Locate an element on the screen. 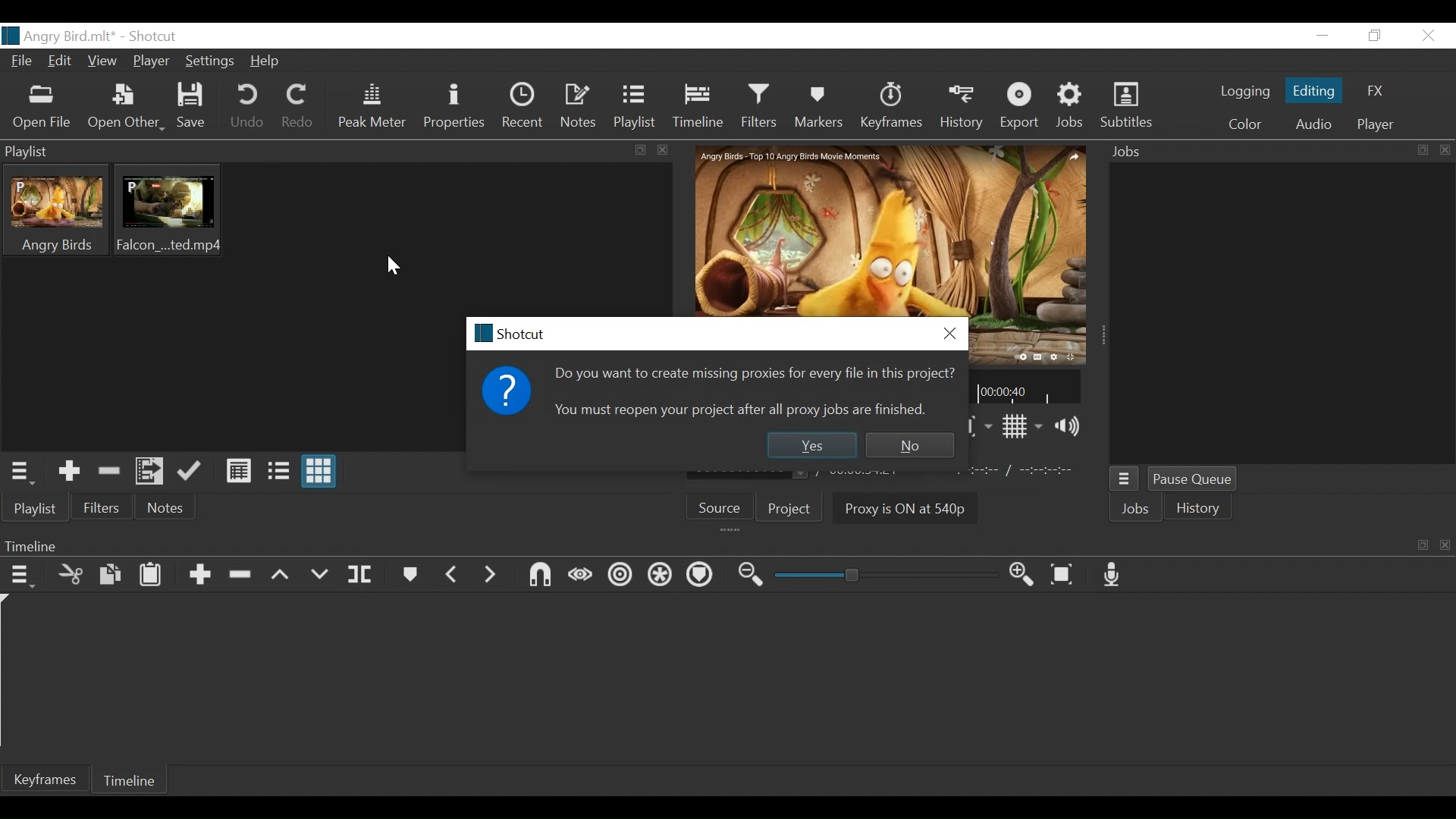 This screenshot has height=819, width=1456. Zoom timeline out is located at coordinates (745, 575).